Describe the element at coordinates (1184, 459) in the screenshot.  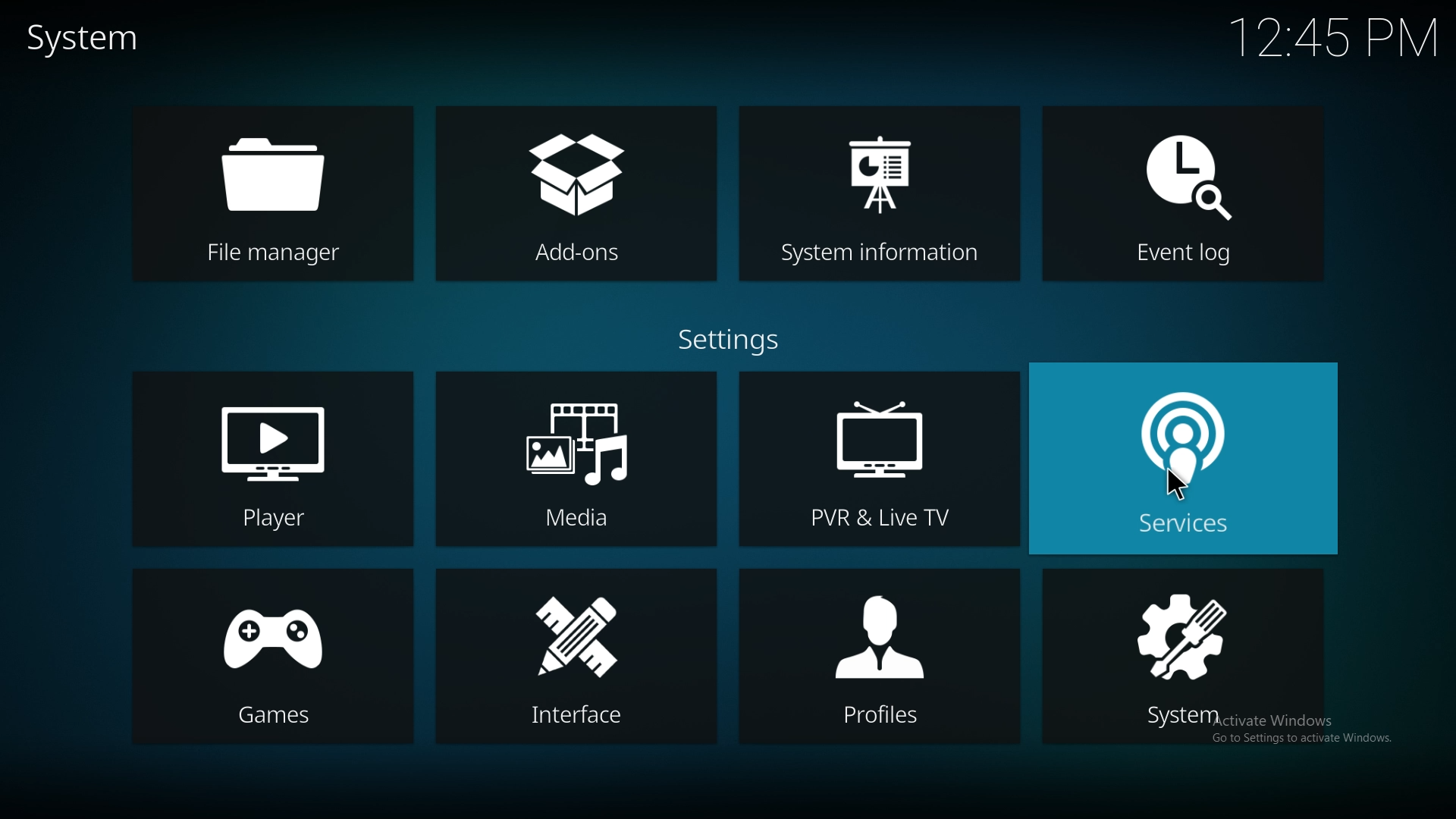
I see `services` at that location.